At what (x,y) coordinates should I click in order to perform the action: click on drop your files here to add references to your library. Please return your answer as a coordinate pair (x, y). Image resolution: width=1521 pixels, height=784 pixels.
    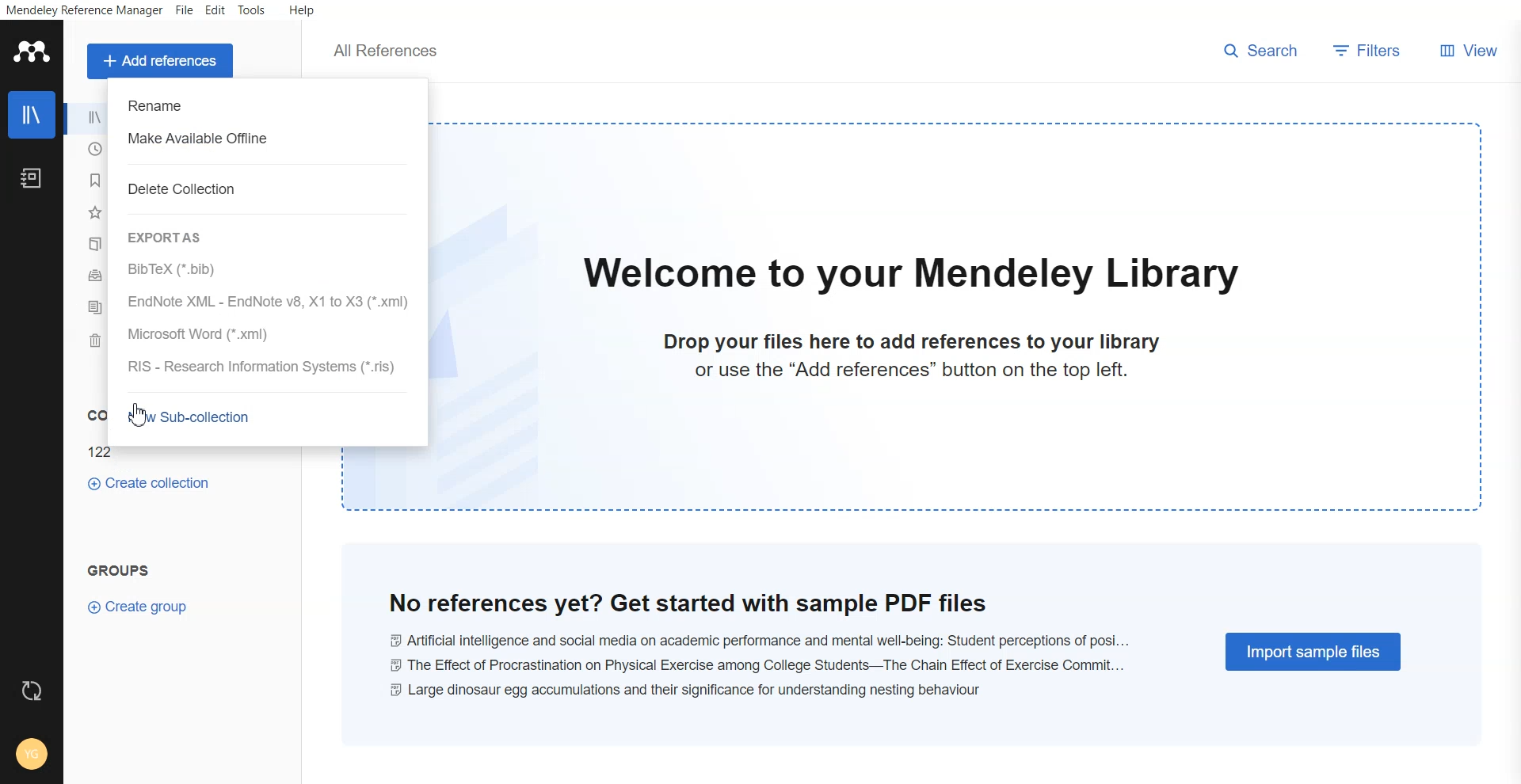
    Looking at the image, I should click on (915, 342).